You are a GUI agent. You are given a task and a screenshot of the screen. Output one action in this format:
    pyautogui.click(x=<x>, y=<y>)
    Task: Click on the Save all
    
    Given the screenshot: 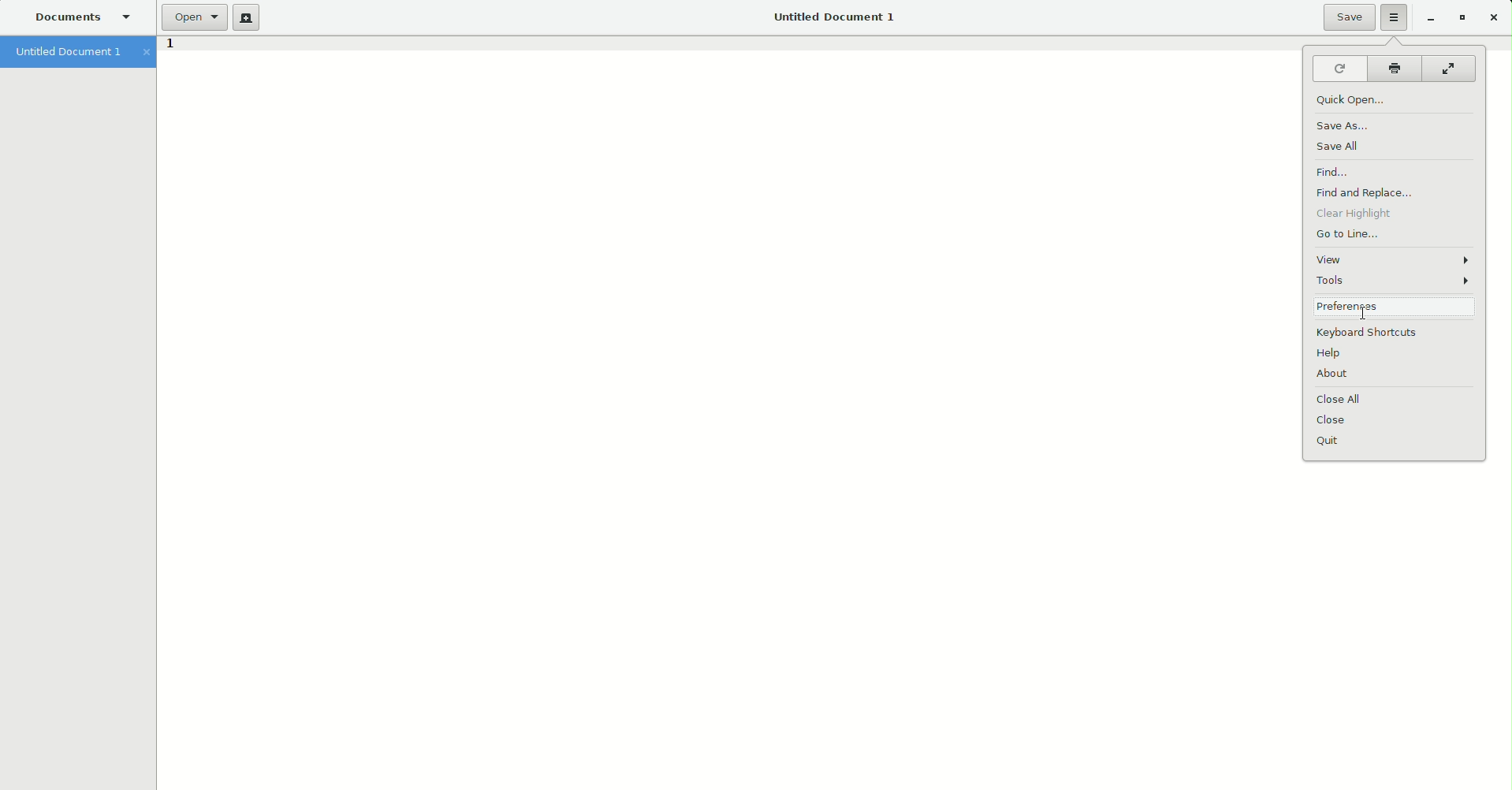 What is the action you would take?
    pyautogui.click(x=1341, y=147)
    